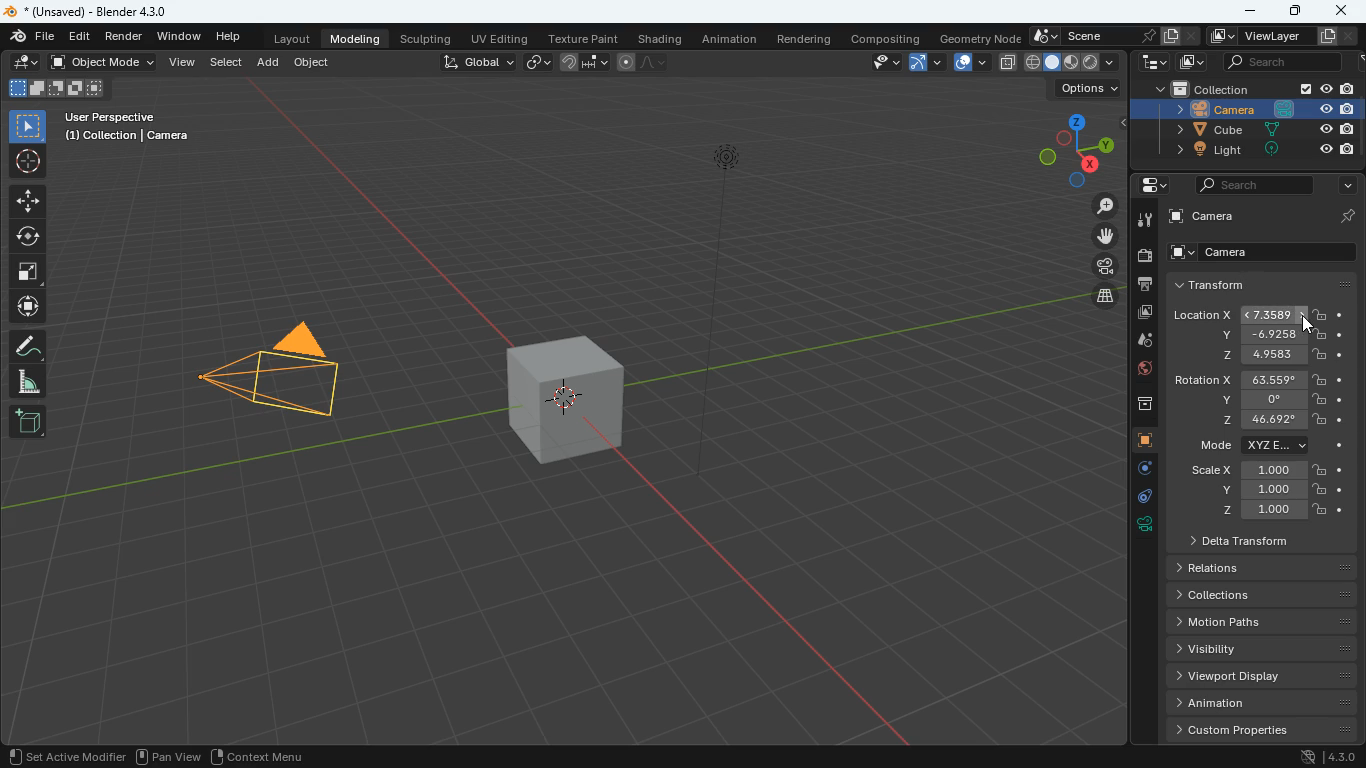 The height and width of the screenshot is (768, 1366). Describe the element at coordinates (27, 344) in the screenshot. I see `draw` at that location.